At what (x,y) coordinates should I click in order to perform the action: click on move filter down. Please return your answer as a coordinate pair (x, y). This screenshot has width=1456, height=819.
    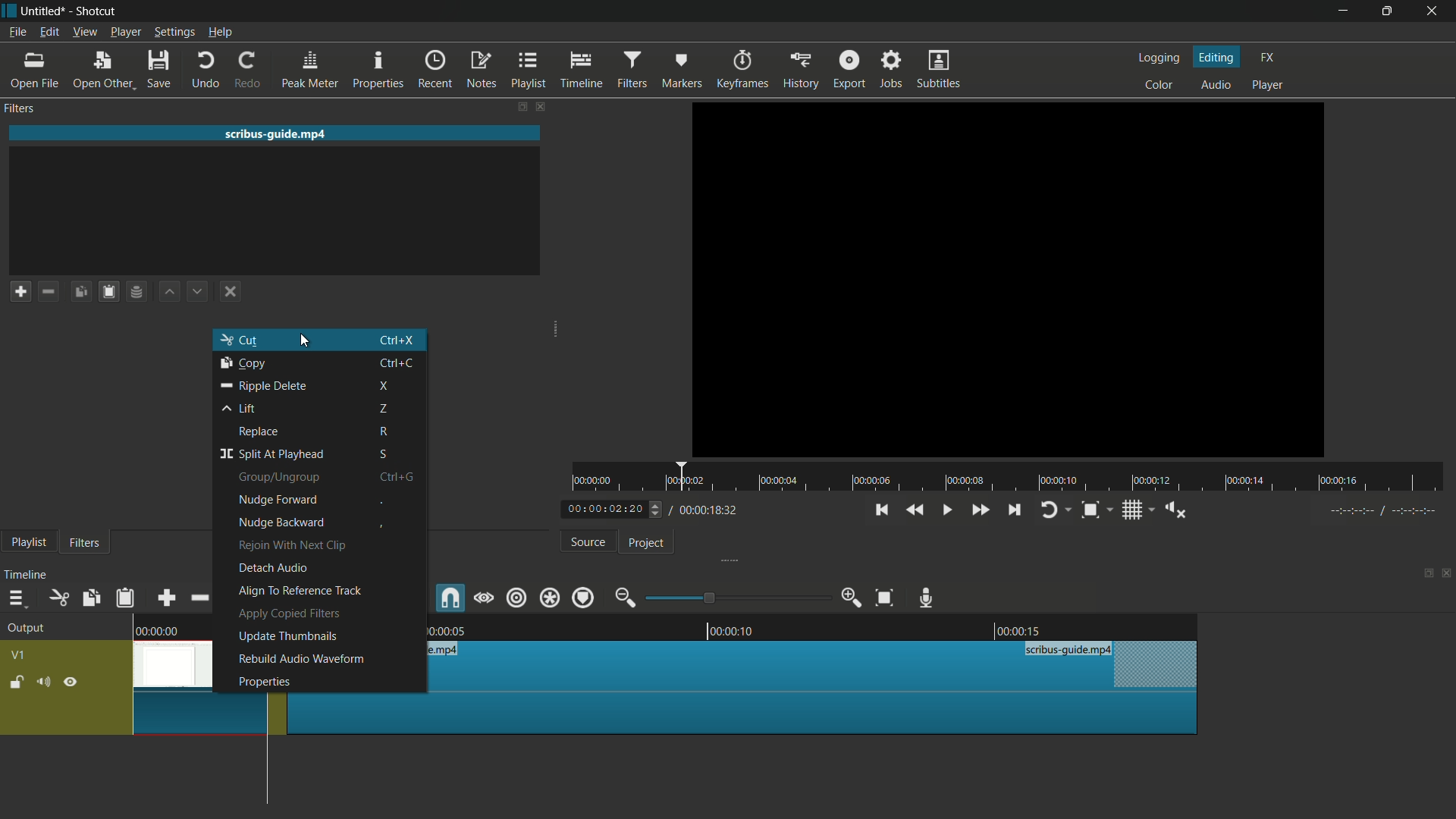
    Looking at the image, I should click on (199, 291).